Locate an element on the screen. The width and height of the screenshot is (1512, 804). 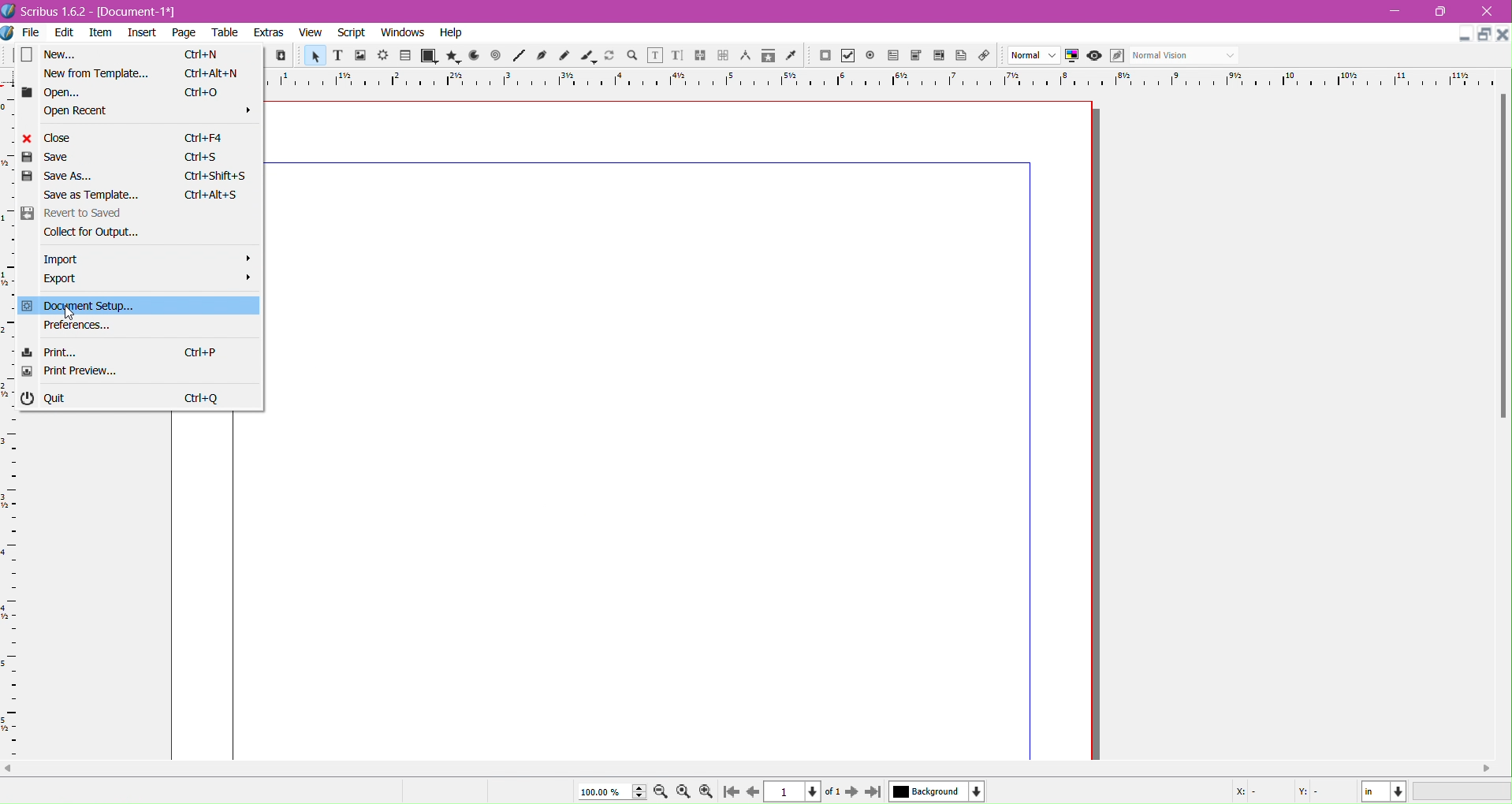
text frame is located at coordinates (337, 58).